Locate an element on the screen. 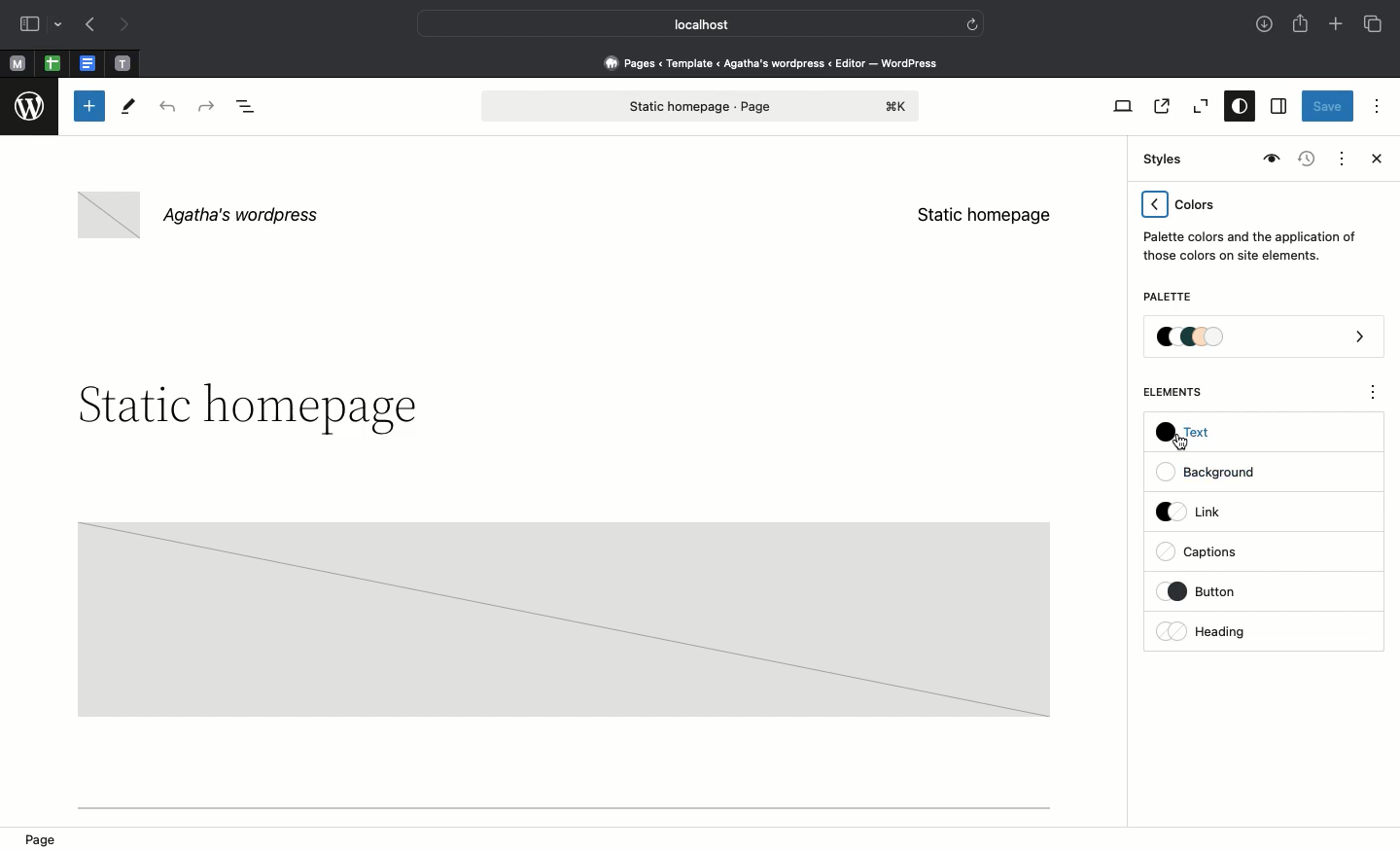 This screenshot has height=850, width=1400. cursor is located at coordinates (1179, 443).